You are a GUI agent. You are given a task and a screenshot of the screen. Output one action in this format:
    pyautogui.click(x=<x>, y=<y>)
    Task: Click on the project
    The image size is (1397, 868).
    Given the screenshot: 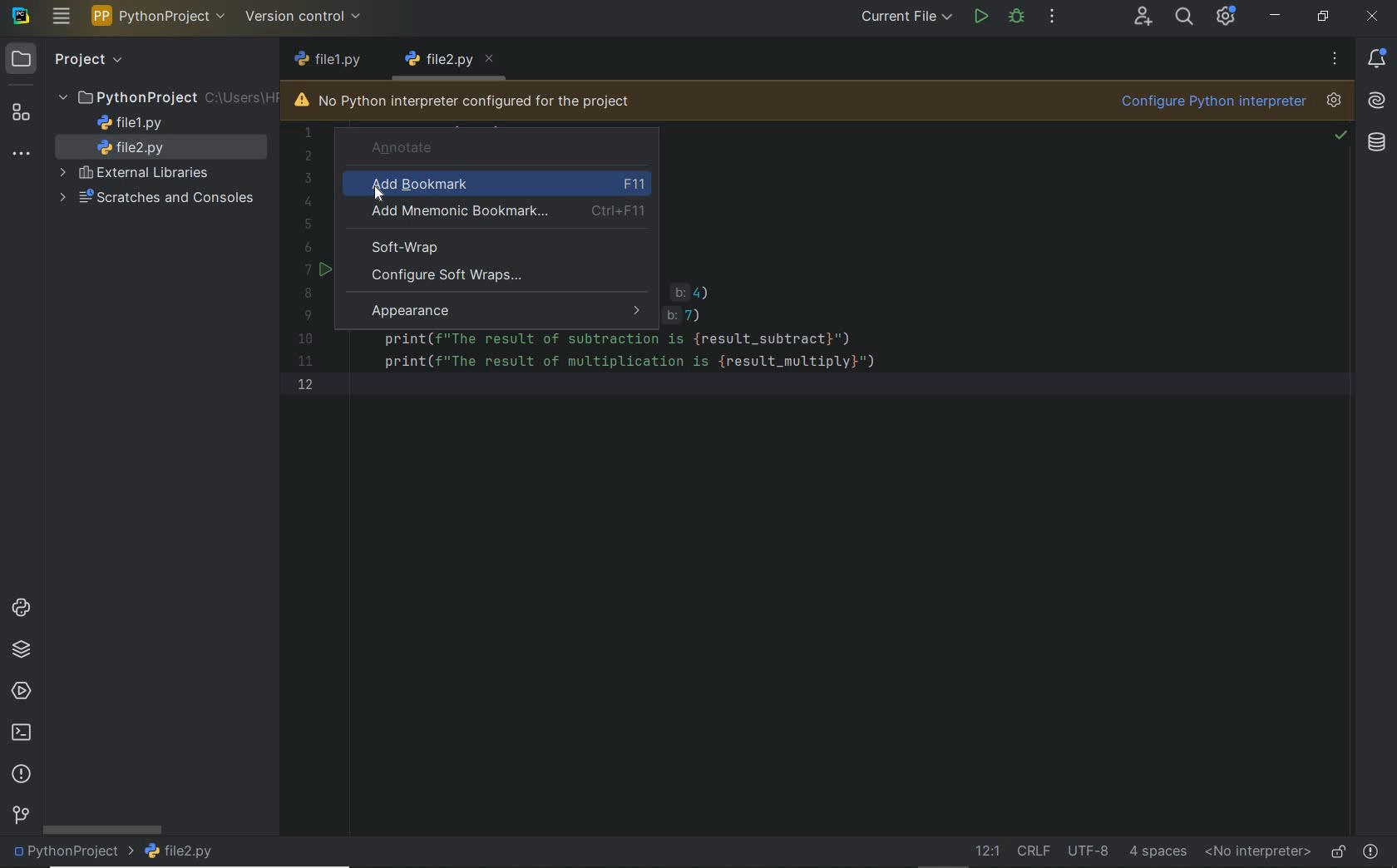 What is the action you would take?
    pyautogui.click(x=67, y=60)
    